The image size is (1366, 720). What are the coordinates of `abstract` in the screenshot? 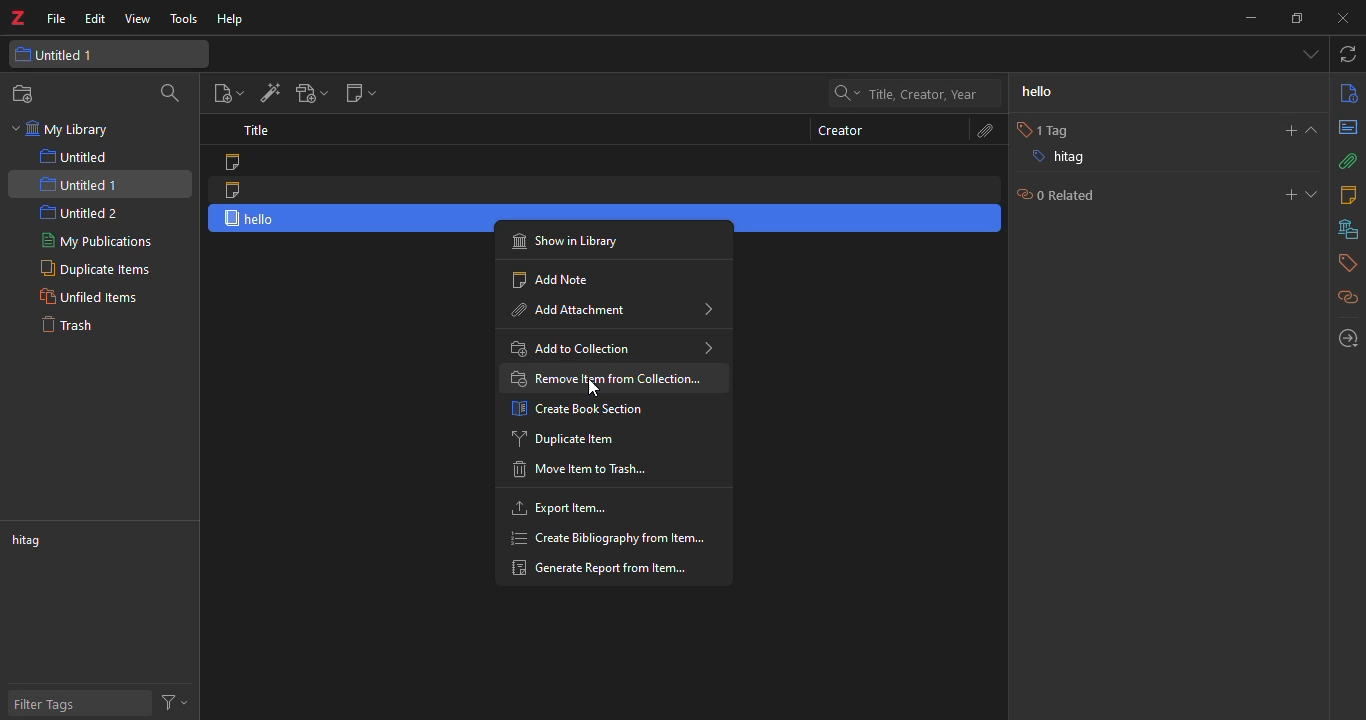 It's located at (1349, 128).